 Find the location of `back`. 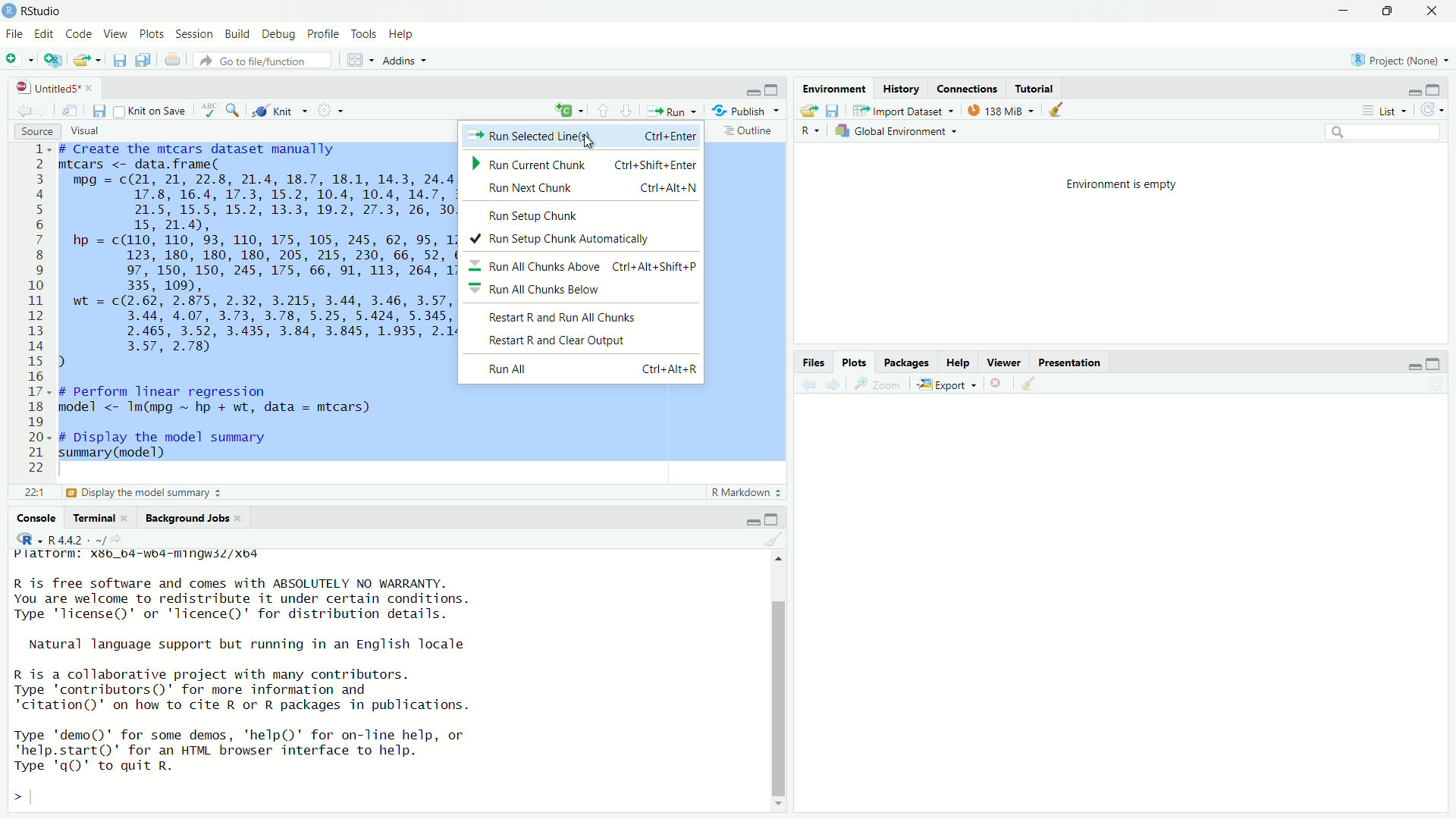

back is located at coordinates (812, 384).